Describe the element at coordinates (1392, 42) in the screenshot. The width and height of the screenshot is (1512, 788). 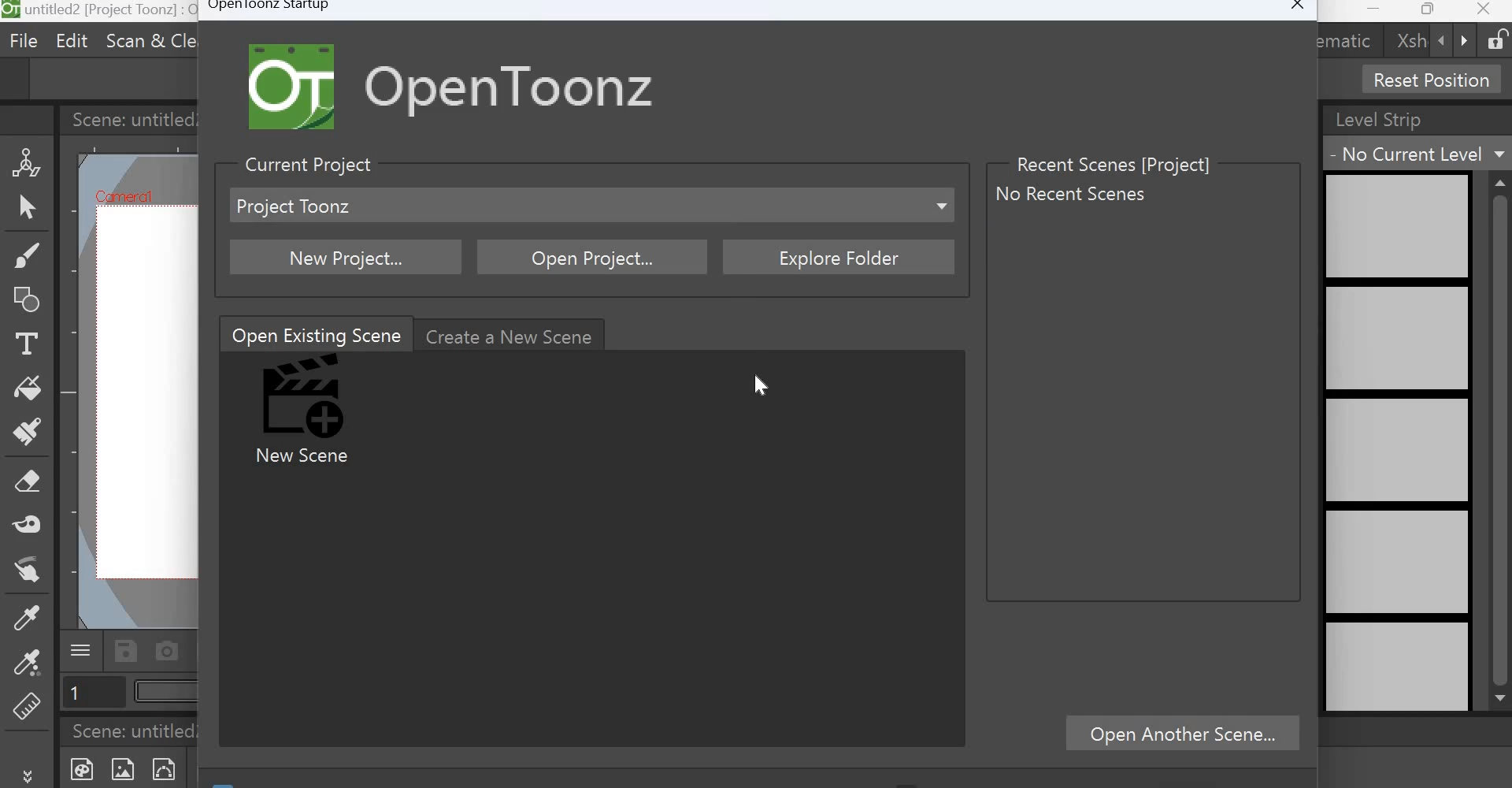
I see `xsh` at that location.